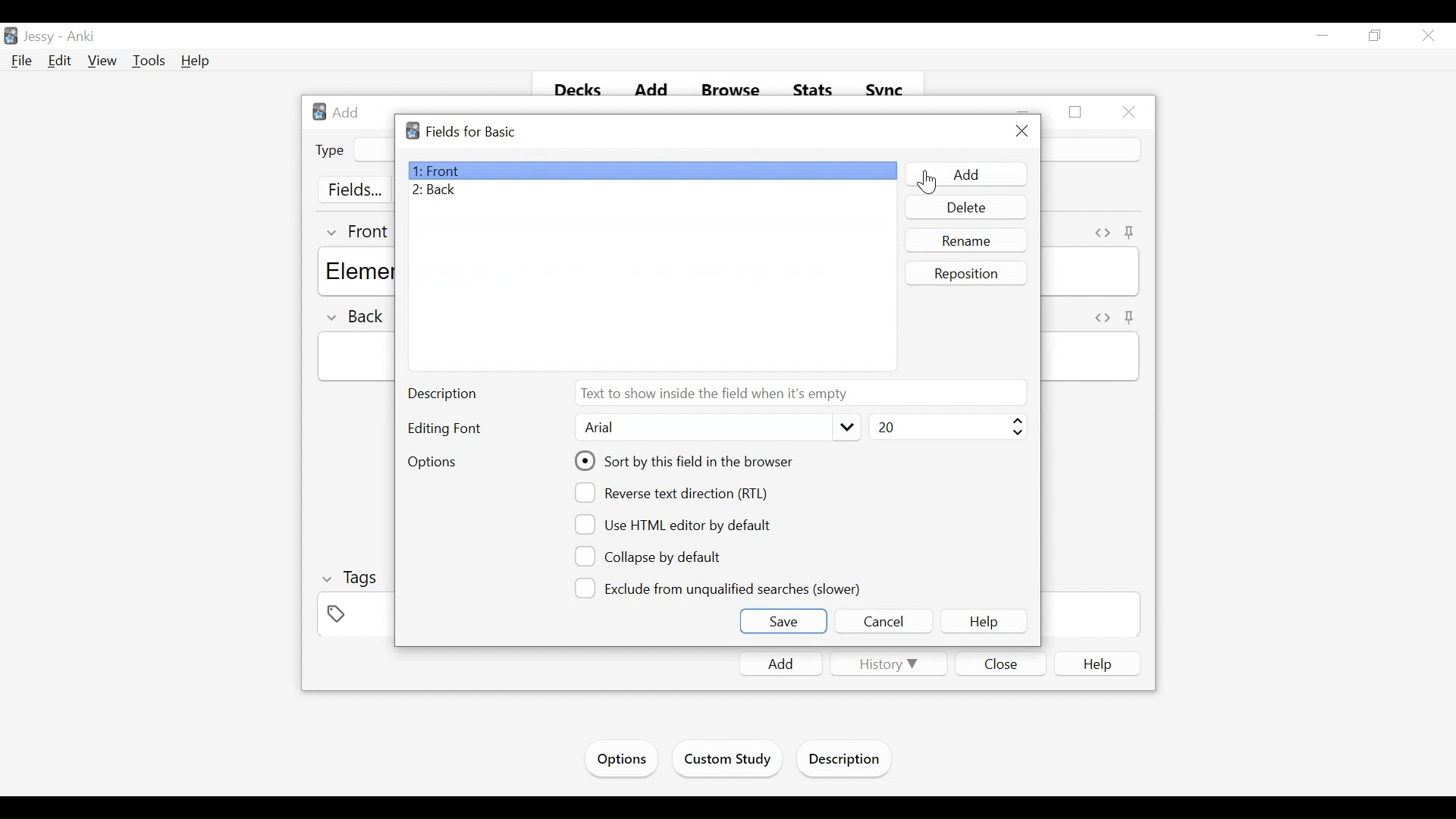 This screenshot has height=819, width=1456. I want to click on Anki Desktop Icon, so click(11, 36).